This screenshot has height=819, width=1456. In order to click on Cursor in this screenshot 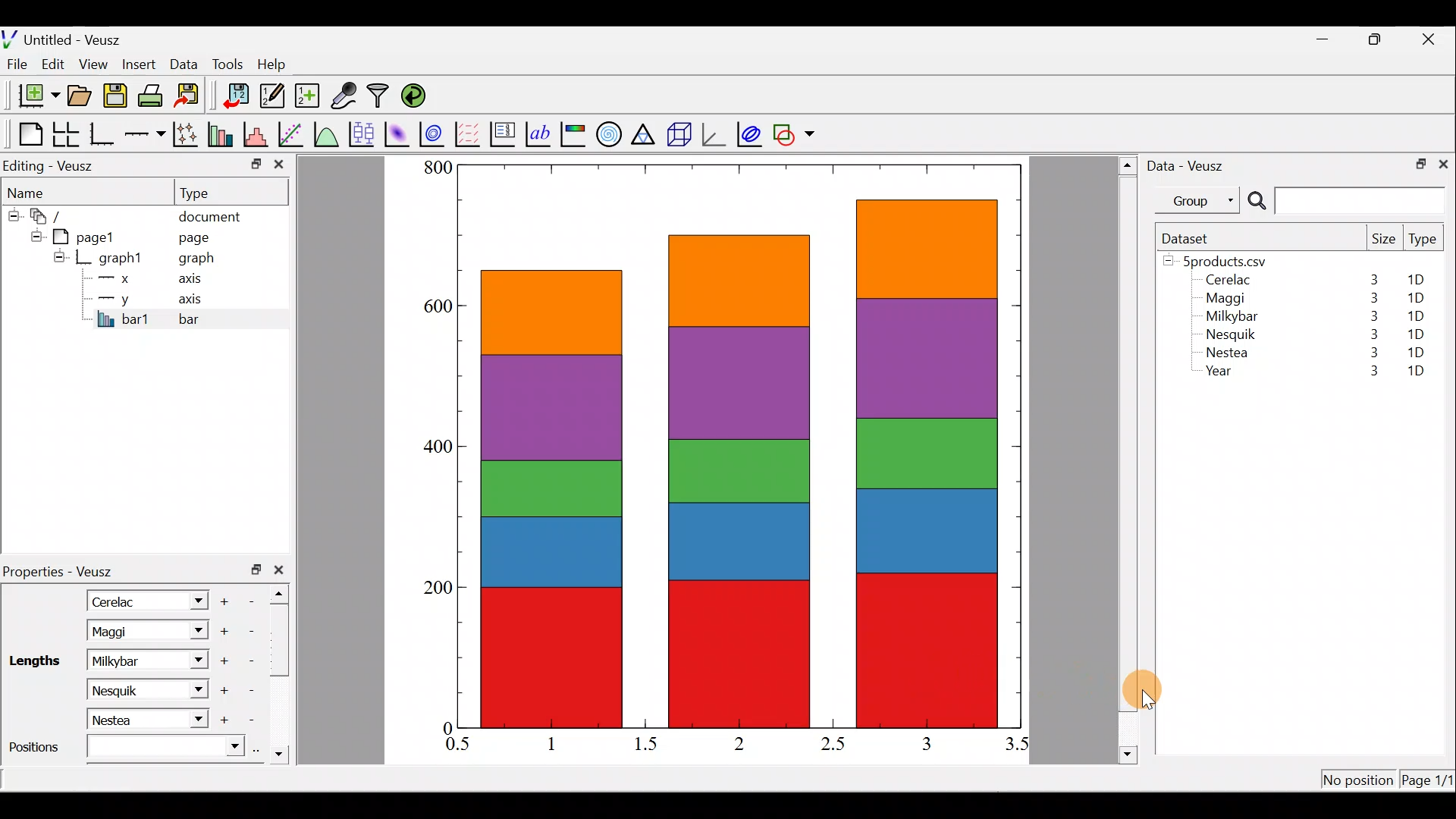, I will do `click(1154, 688)`.